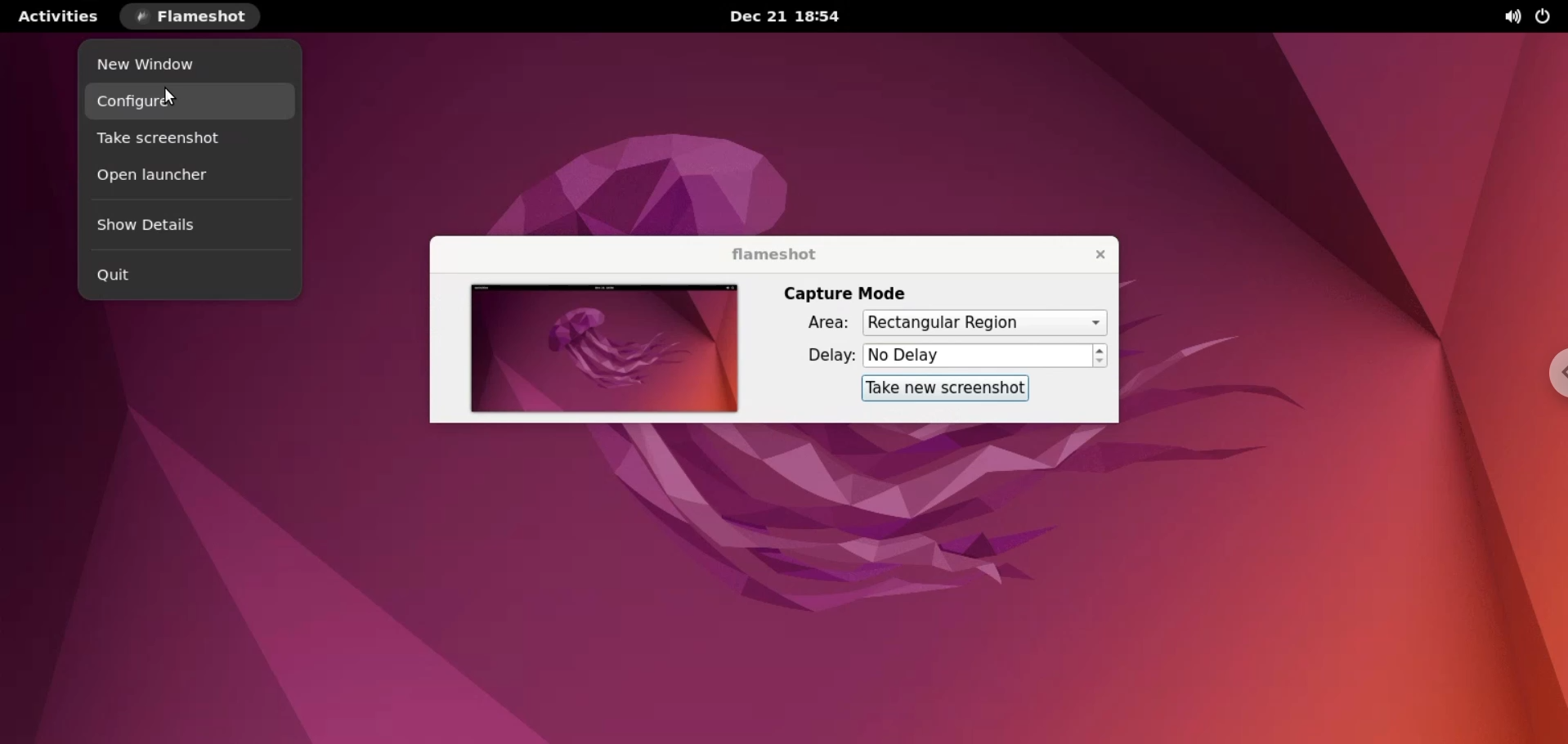 The image size is (1568, 744). What do you see at coordinates (178, 65) in the screenshot?
I see `new window` at bounding box center [178, 65].